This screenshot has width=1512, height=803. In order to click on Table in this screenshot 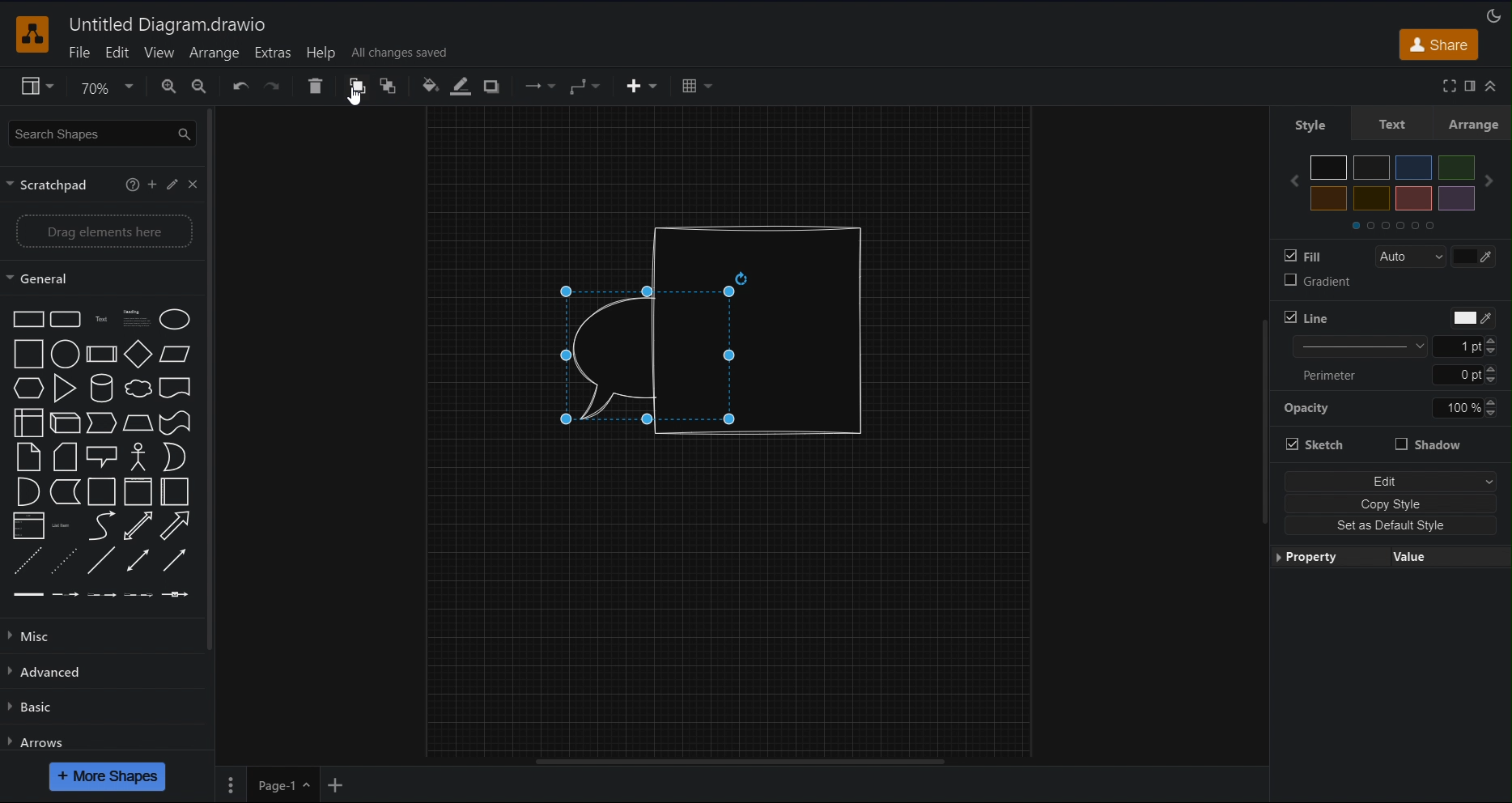, I will do `click(697, 86)`.